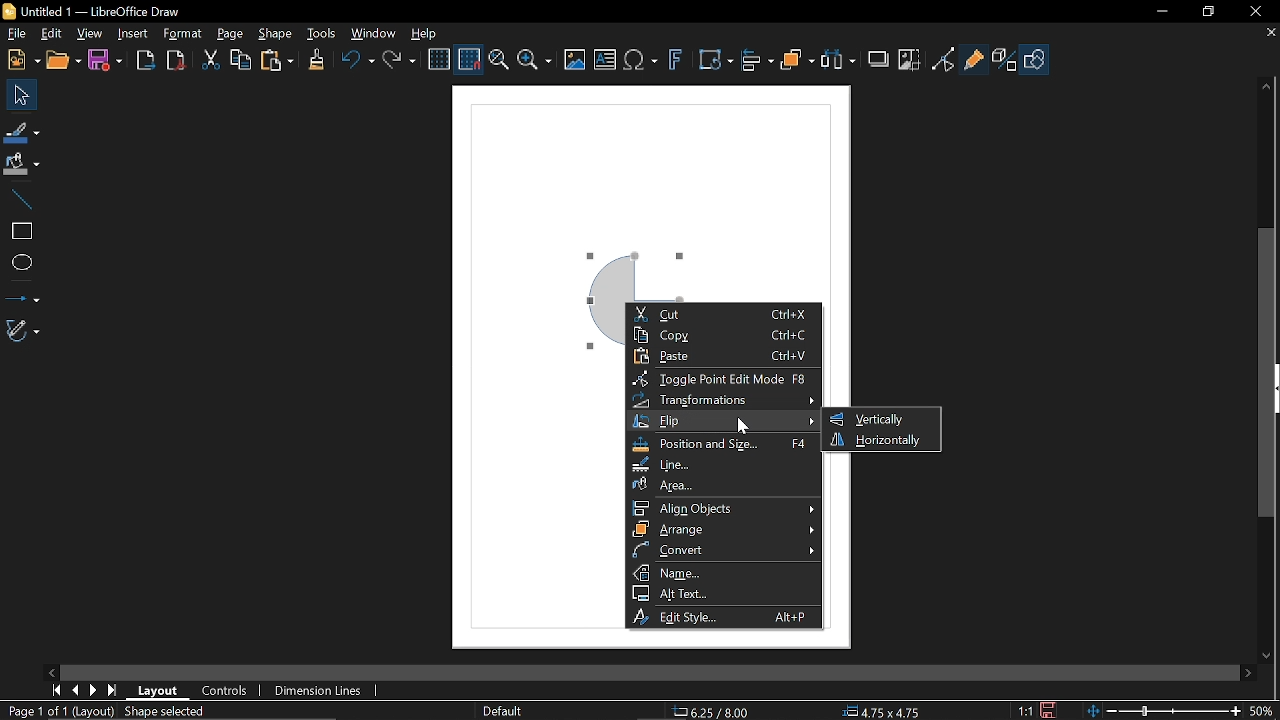 The image size is (1280, 720). I want to click on Toggle extrusion, so click(1006, 60).